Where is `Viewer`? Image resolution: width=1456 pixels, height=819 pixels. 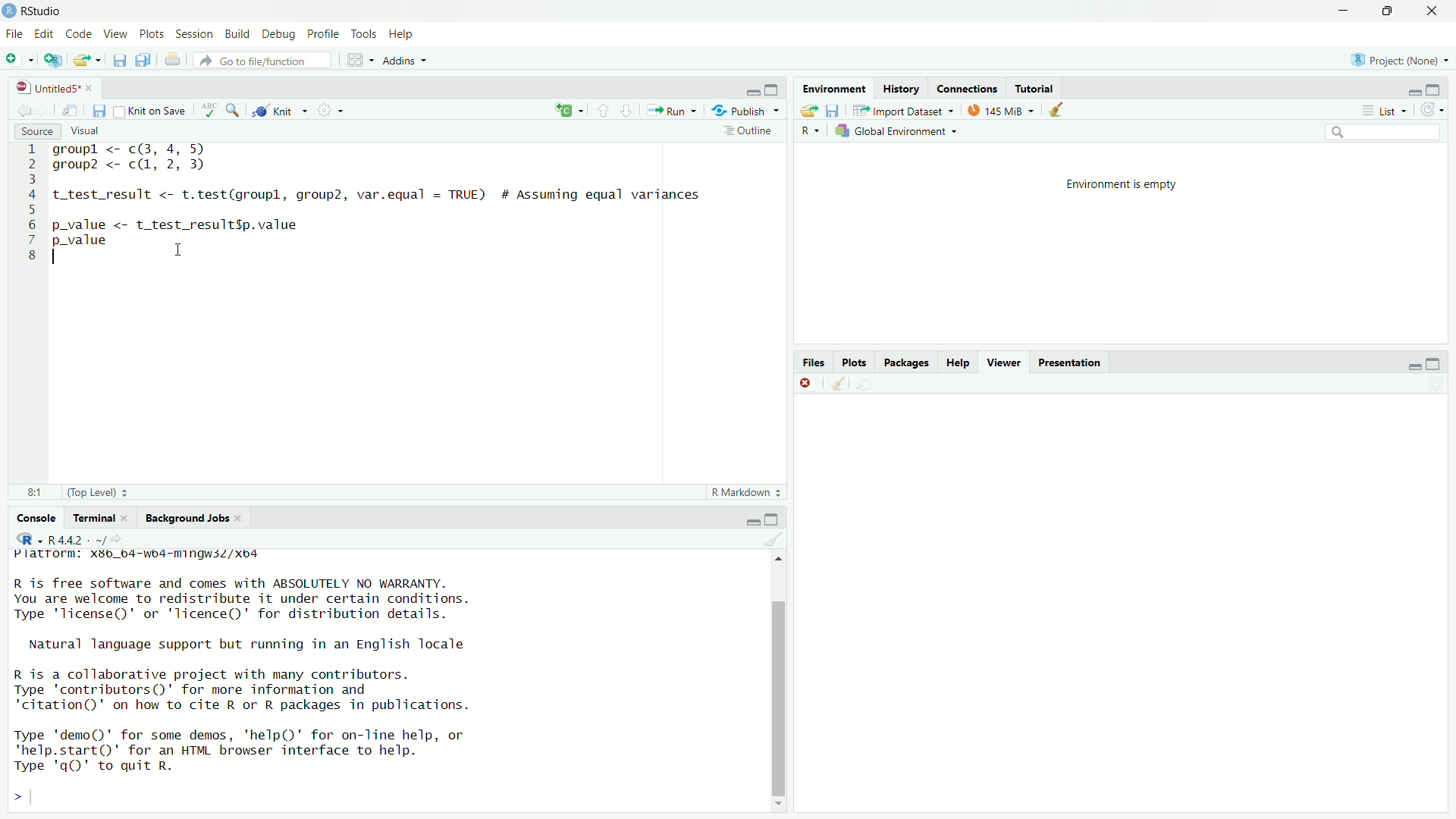
Viewer is located at coordinates (1003, 362).